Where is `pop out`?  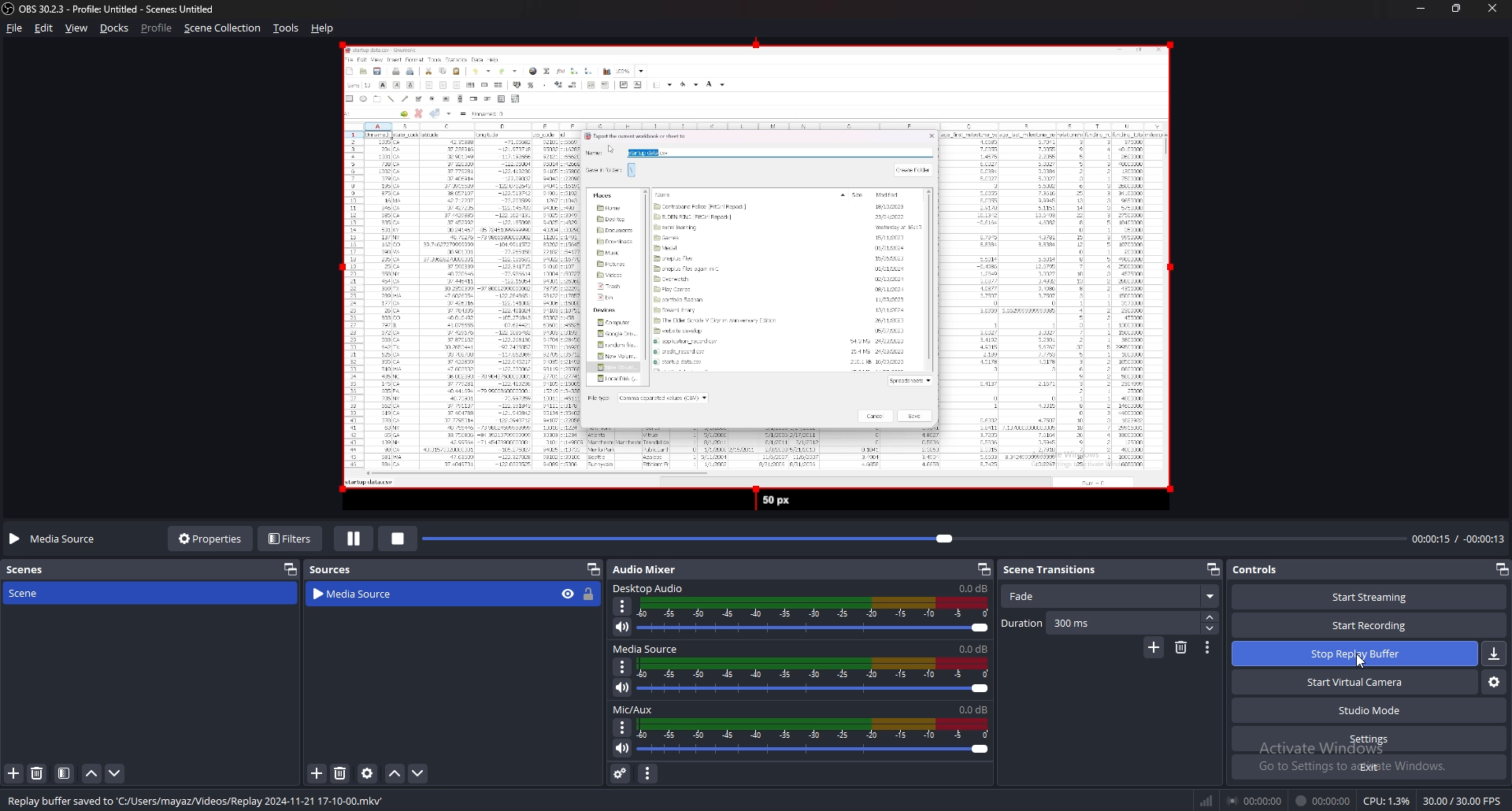 pop out is located at coordinates (1501, 569).